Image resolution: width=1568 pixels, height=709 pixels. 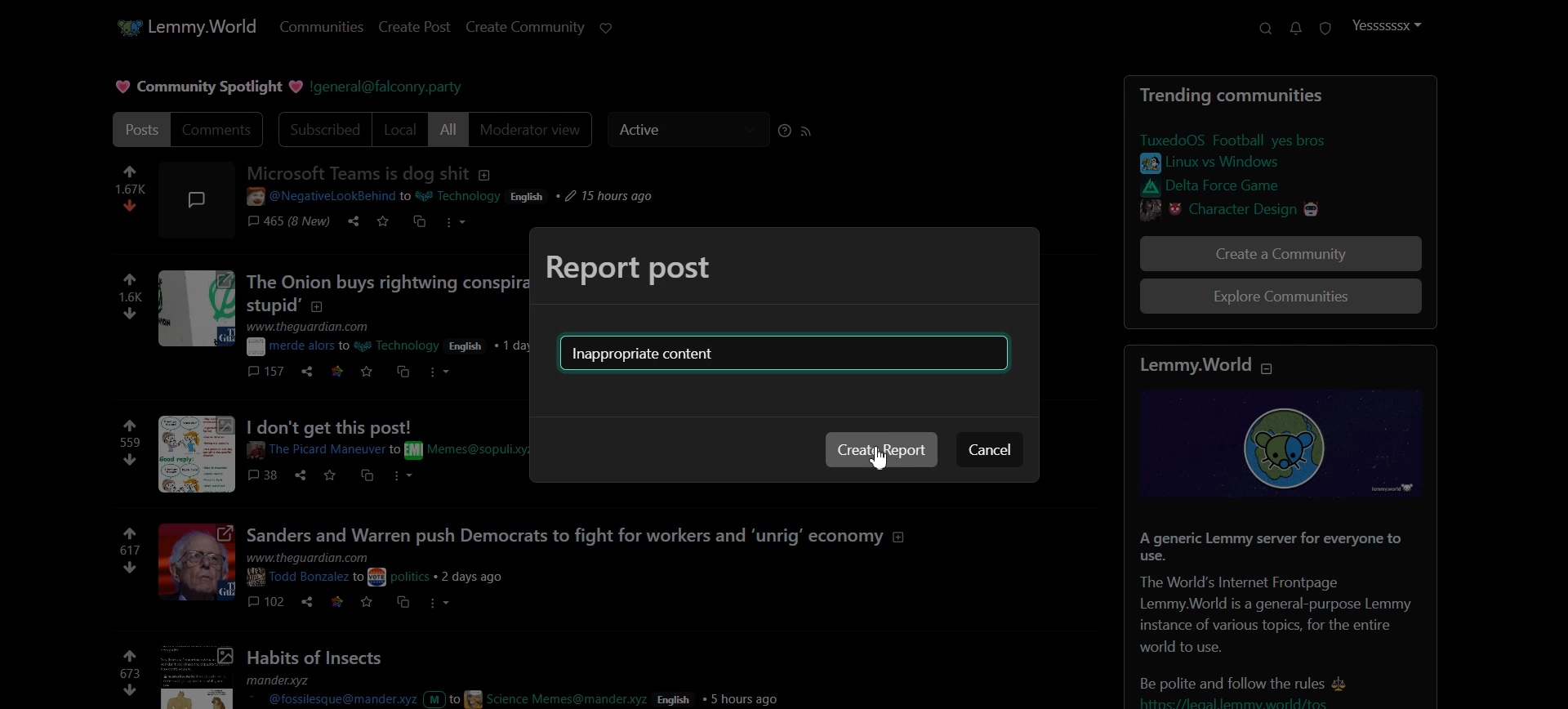 What do you see at coordinates (323, 129) in the screenshot?
I see `Subscribed` at bounding box center [323, 129].